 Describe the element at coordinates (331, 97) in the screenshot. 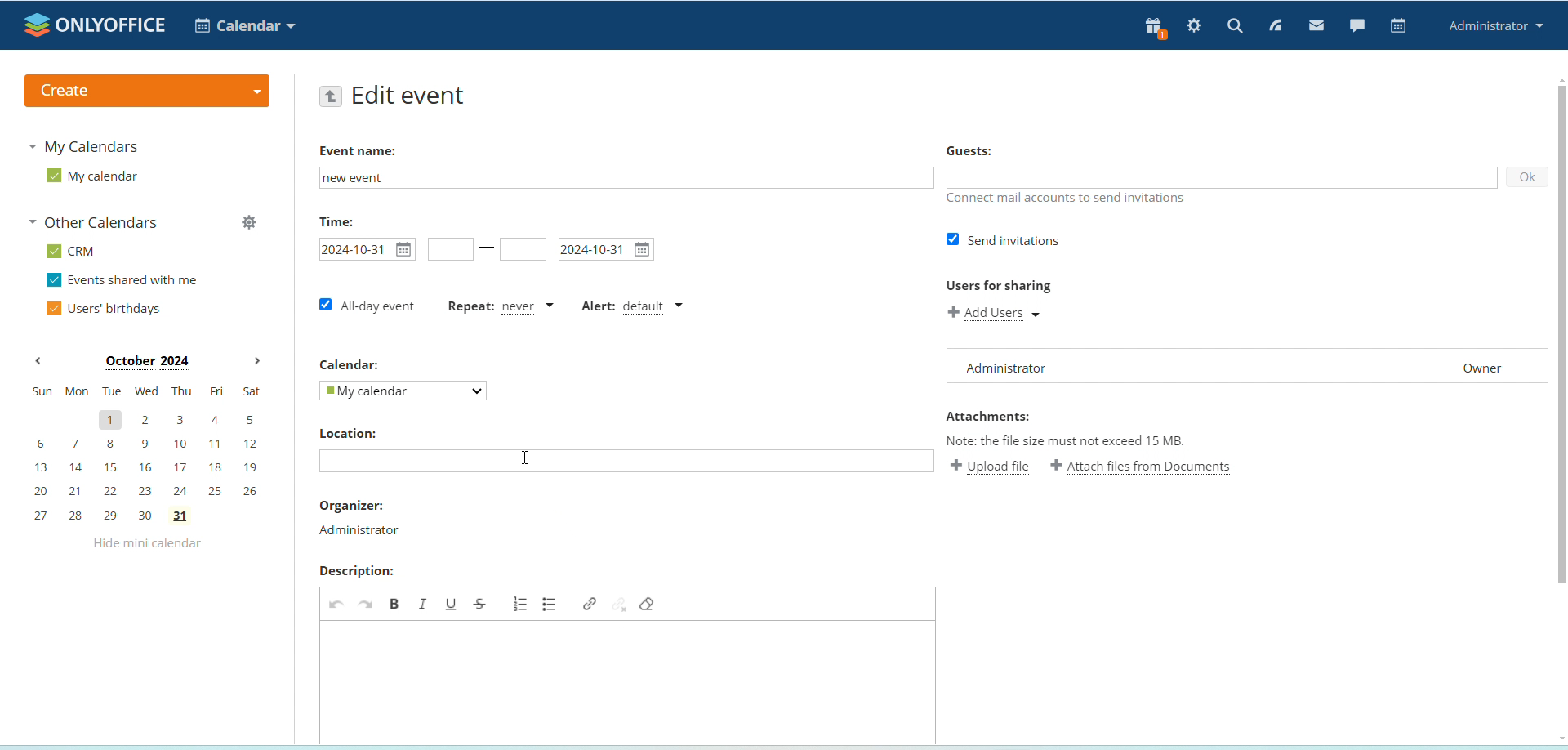

I see `go back` at that location.